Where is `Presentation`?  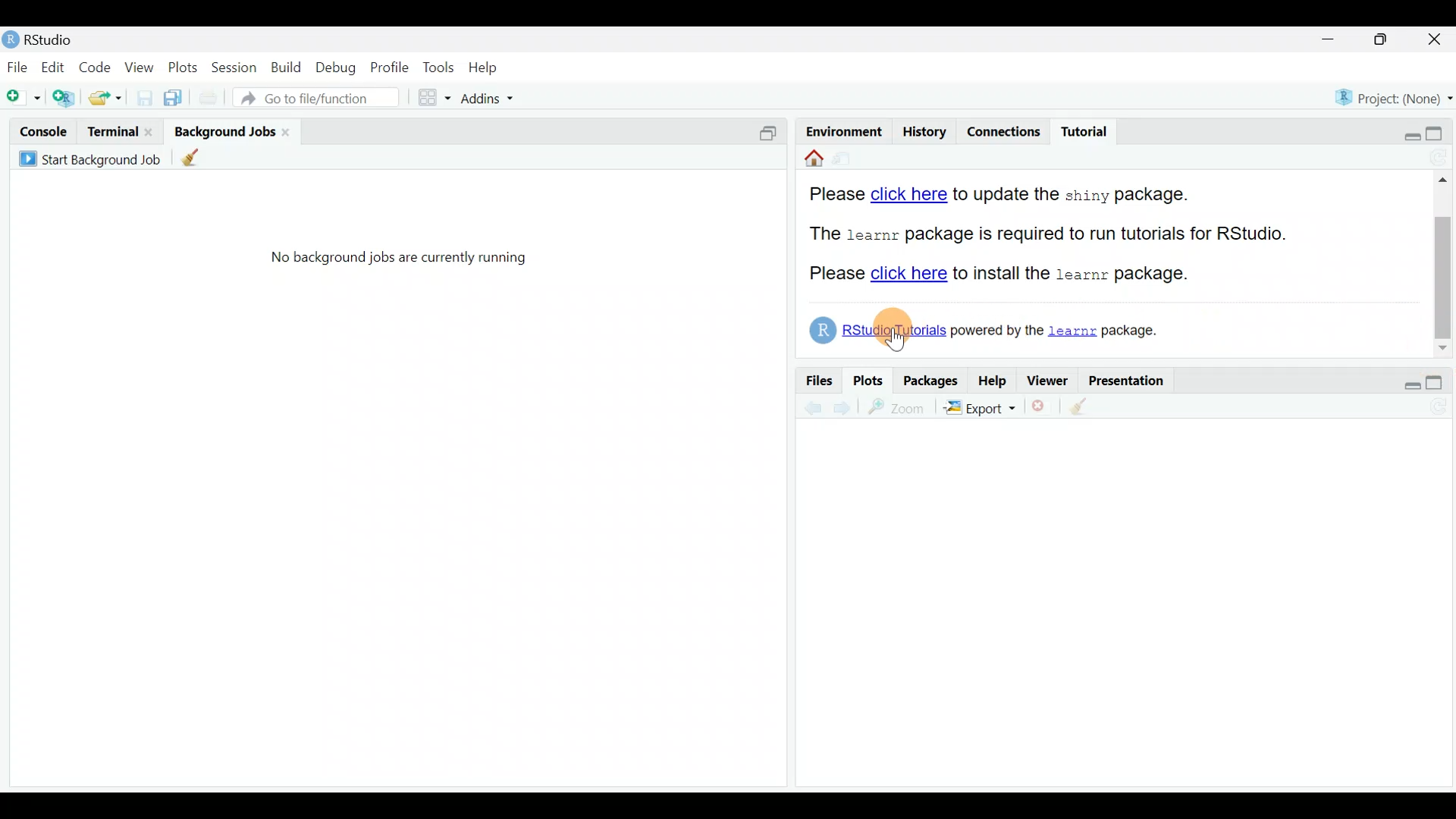
Presentation is located at coordinates (1134, 380).